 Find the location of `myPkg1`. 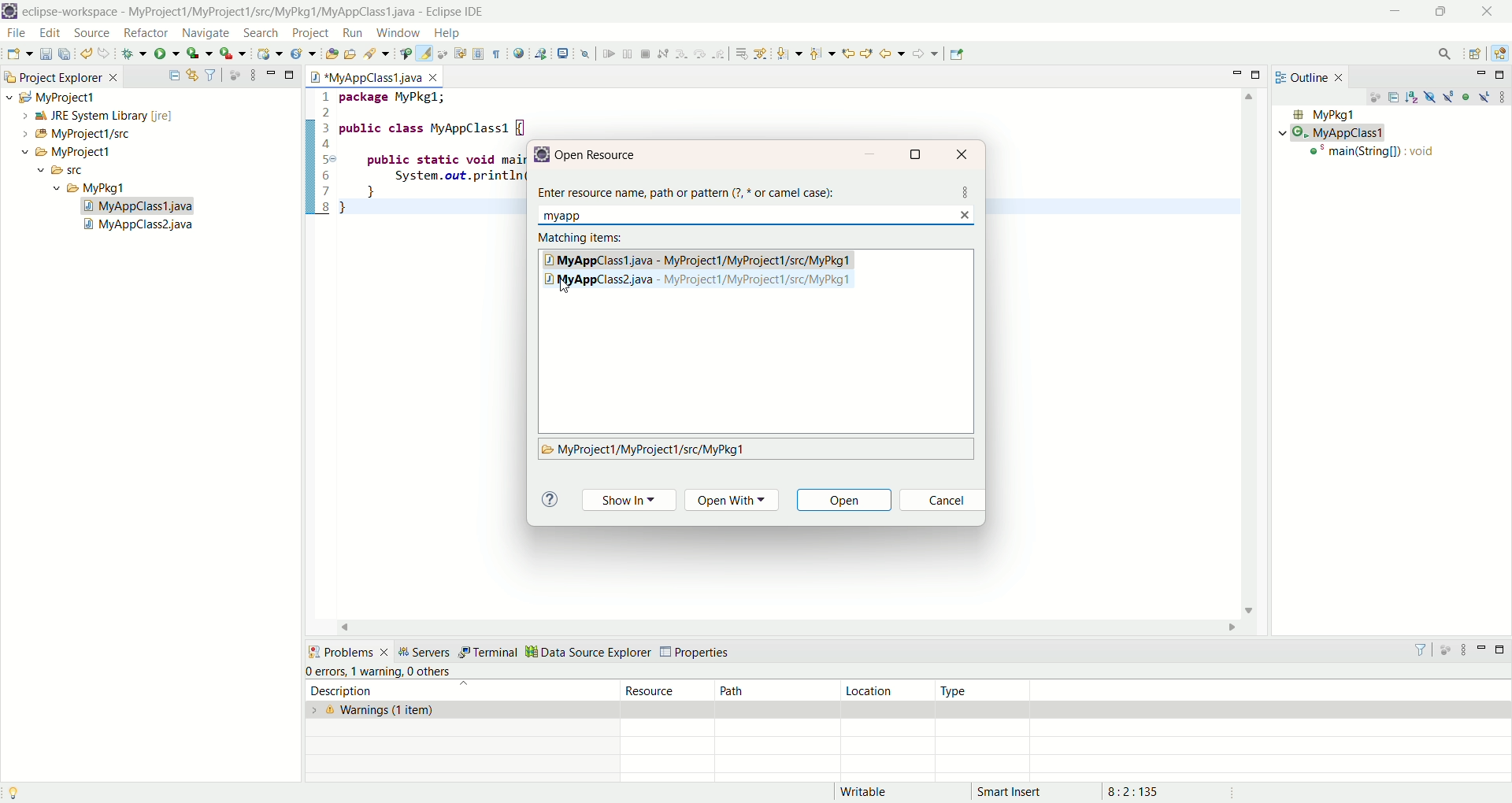

myPkg1 is located at coordinates (1322, 115).